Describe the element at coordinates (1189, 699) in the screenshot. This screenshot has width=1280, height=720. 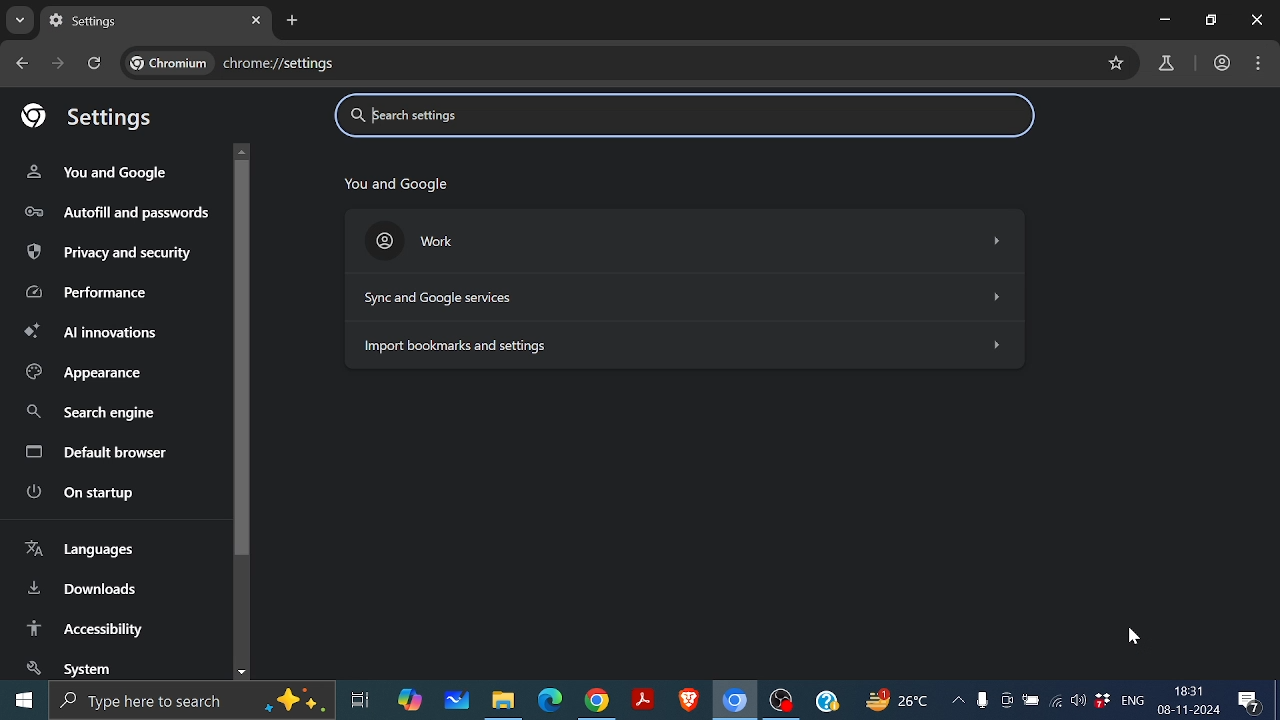
I see `time and date` at that location.